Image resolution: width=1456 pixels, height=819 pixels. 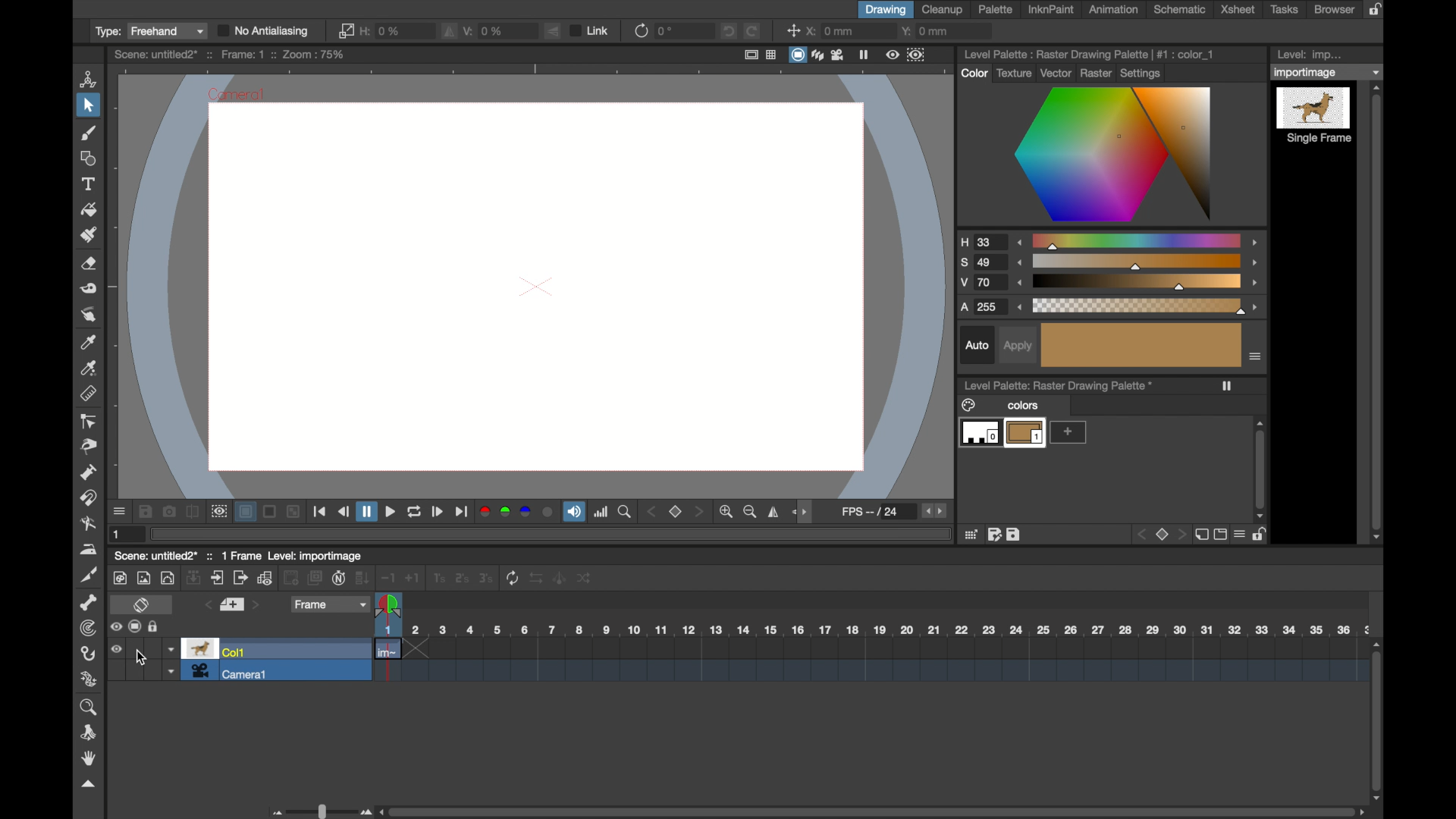 What do you see at coordinates (119, 512) in the screenshot?
I see ` more options` at bounding box center [119, 512].